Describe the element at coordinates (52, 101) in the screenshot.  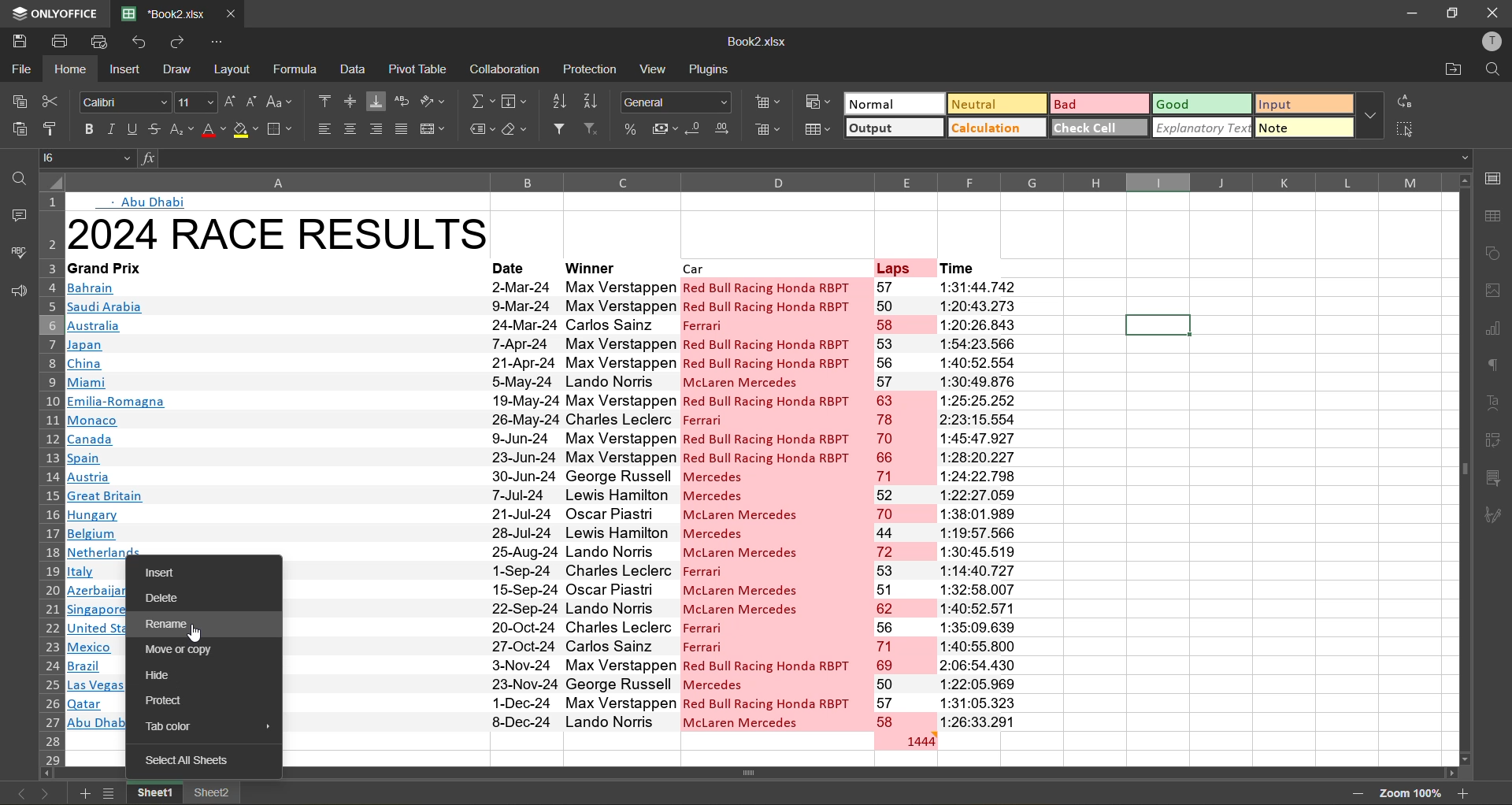
I see `cut` at that location.